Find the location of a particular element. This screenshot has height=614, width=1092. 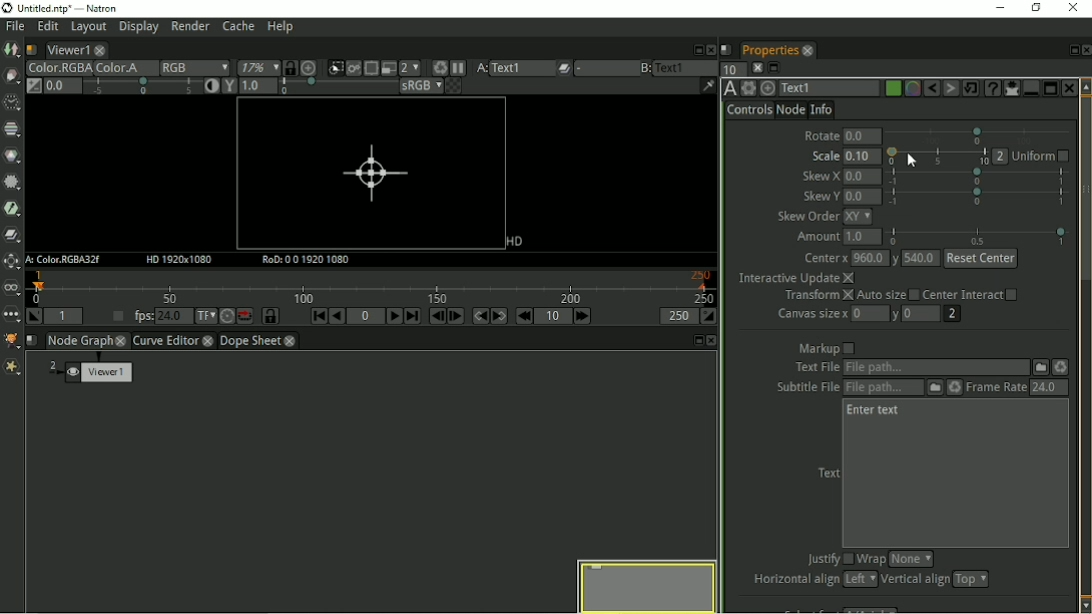

Channel is located at coordinates (12, 129).